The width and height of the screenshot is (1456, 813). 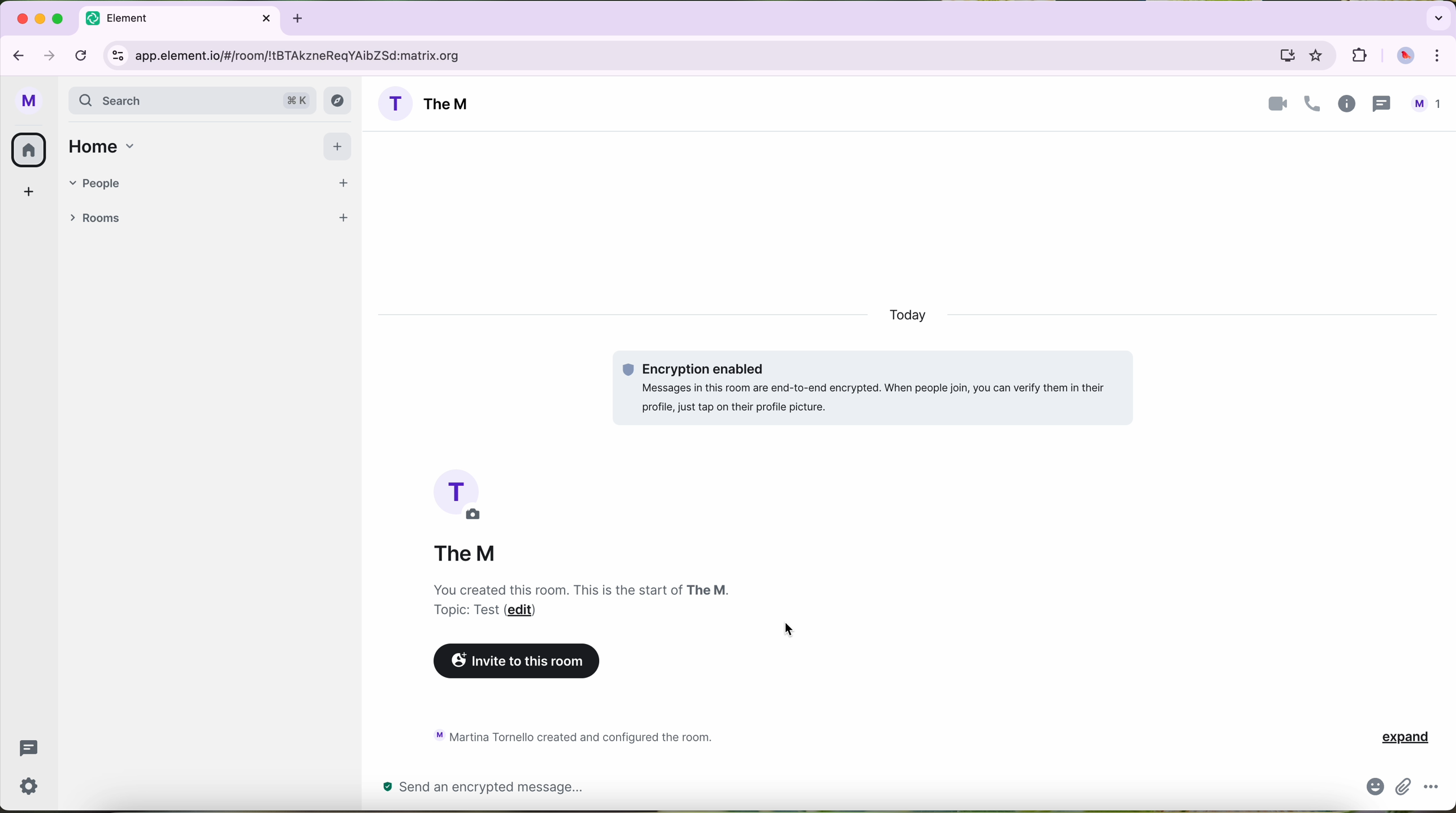 What do you see at coordinates (42, 19) in the screenshot?
I see `minimize` at bounding box center [42, 19].